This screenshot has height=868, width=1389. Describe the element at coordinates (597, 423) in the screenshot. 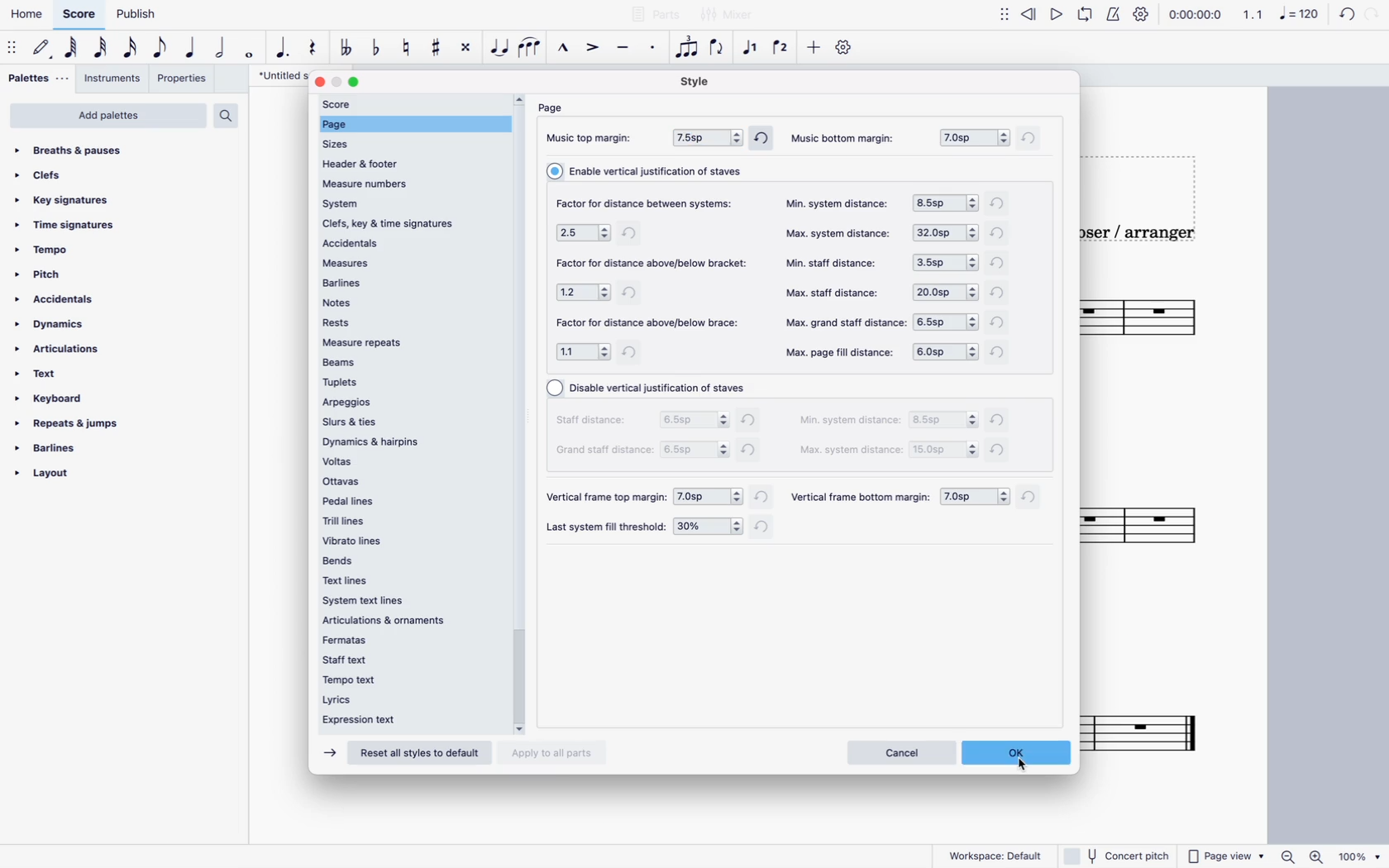

I see `staff distance` at that location.